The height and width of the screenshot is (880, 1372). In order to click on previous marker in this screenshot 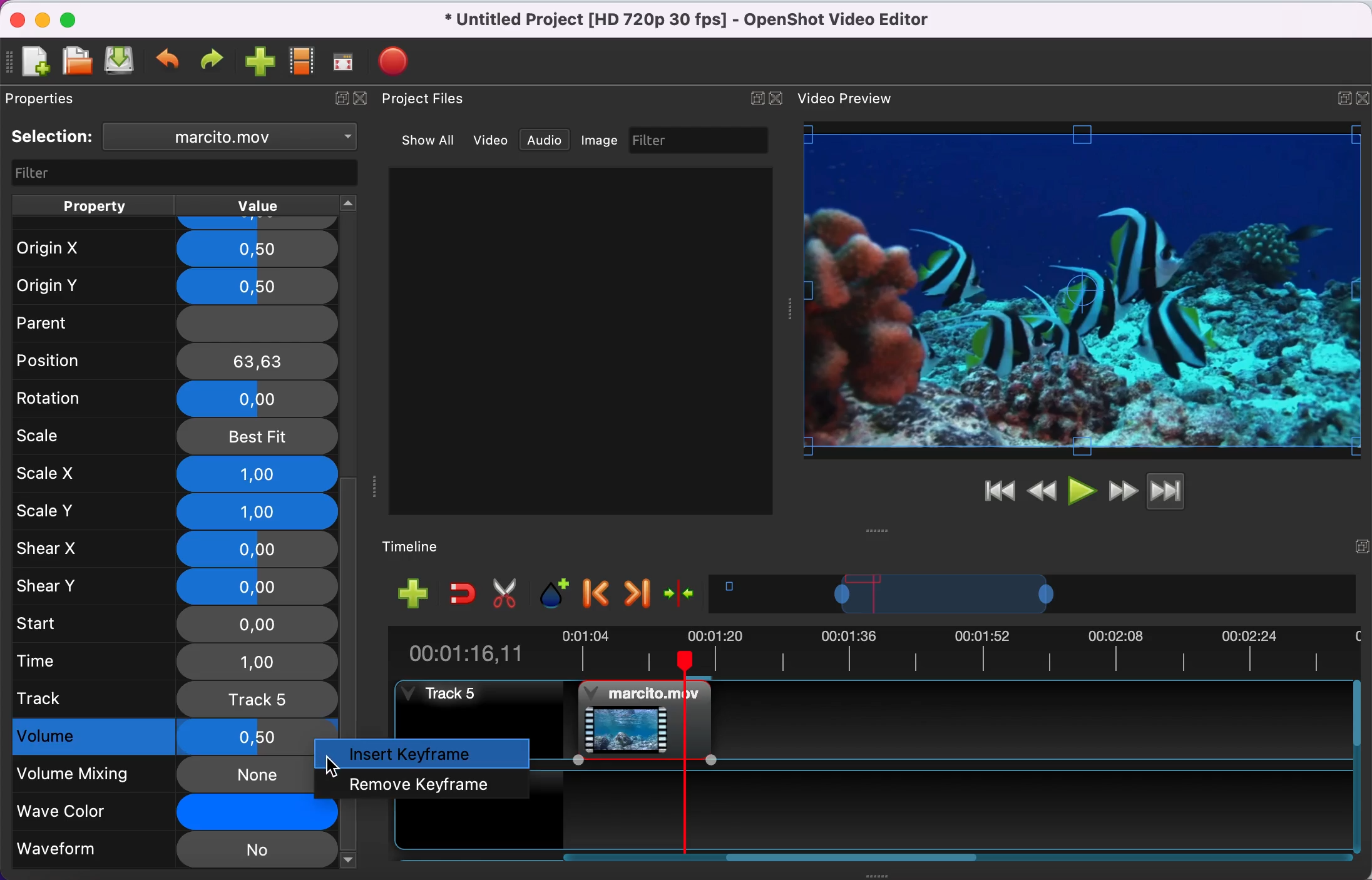, I will do `click(597, 595)`.